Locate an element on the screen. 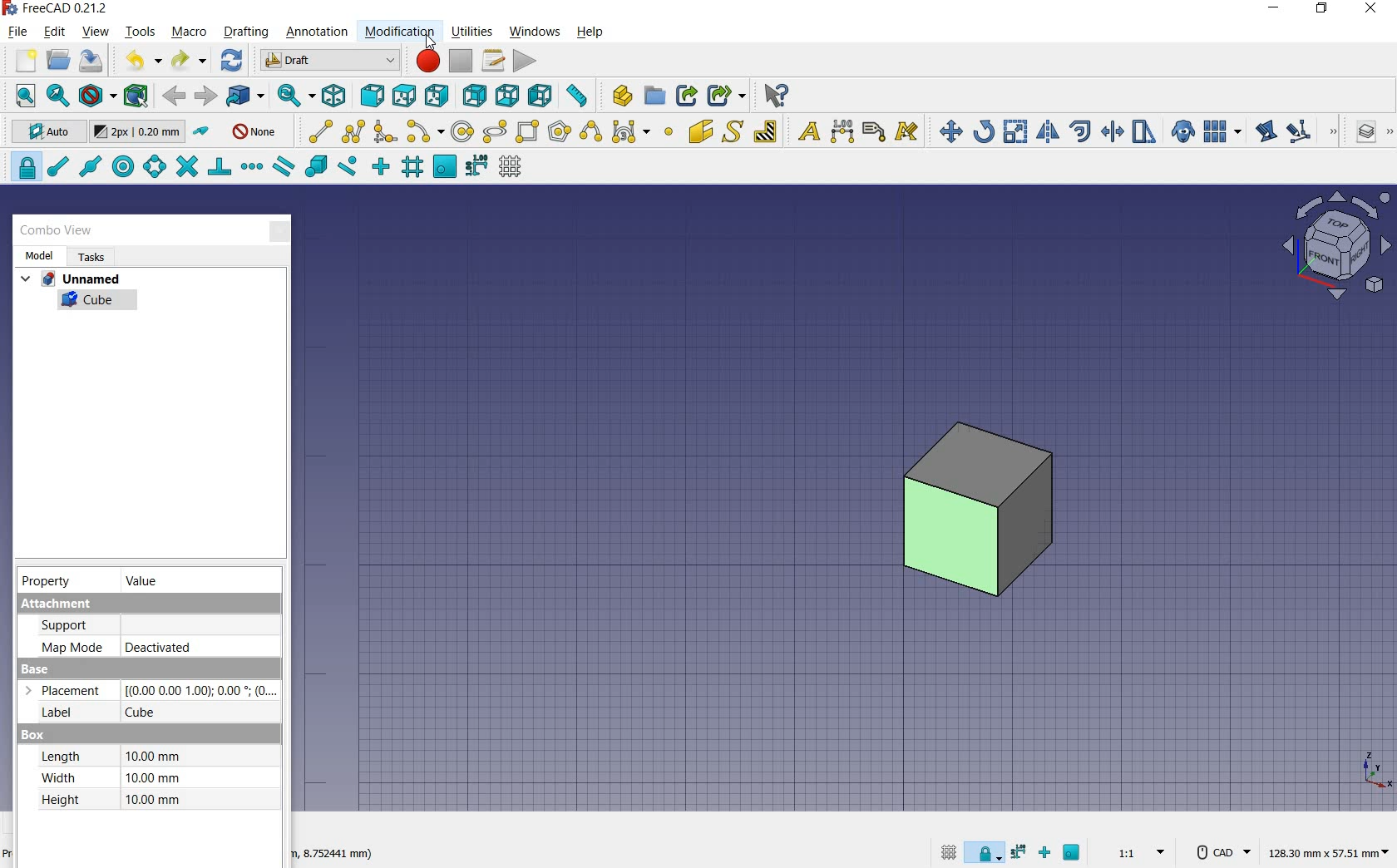 Image resolution: width=1397 pixels, height=868 pixels. set scale is located at coordinates (1140, 852).